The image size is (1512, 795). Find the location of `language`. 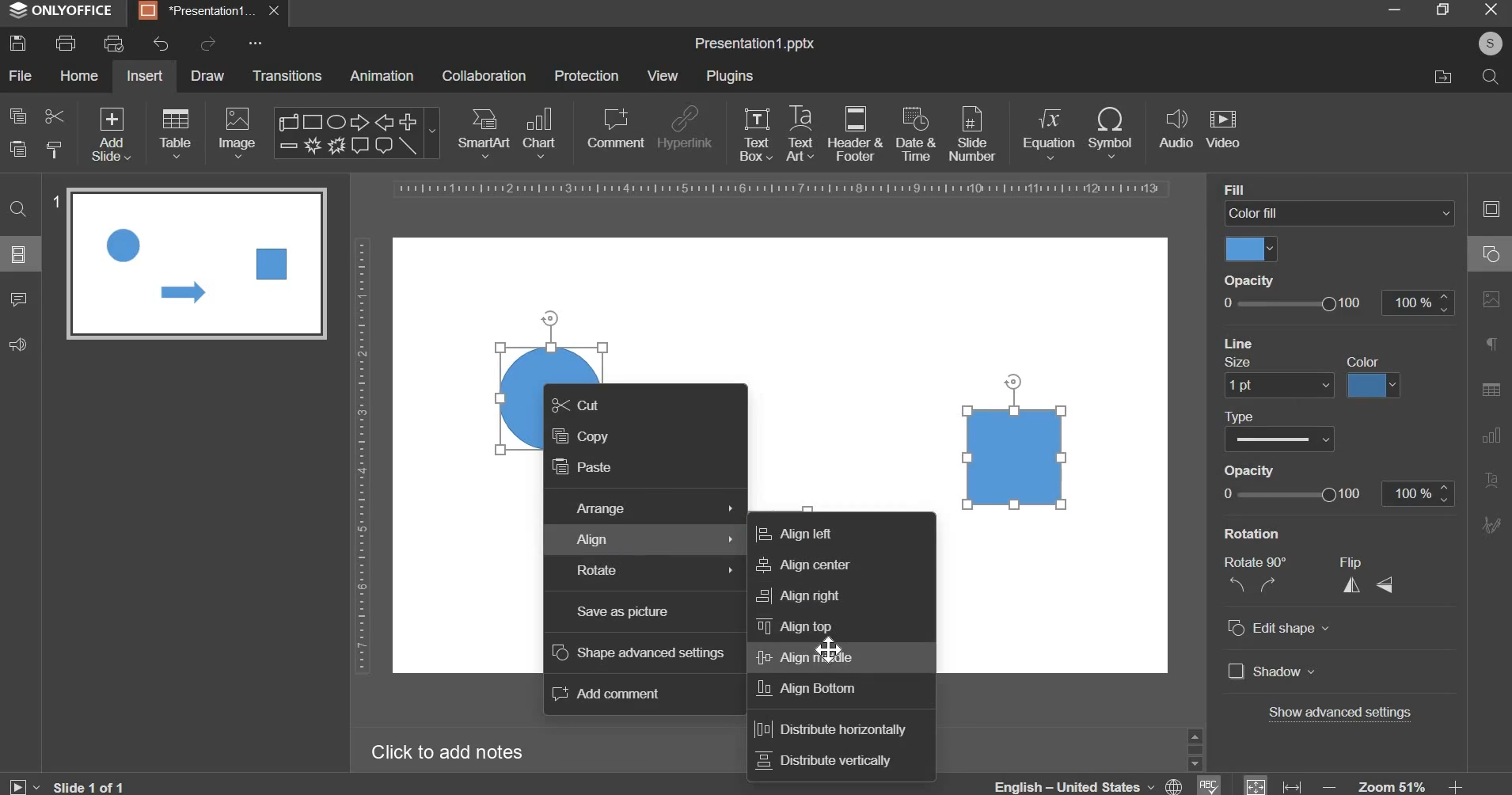

language is located at coordinates (1091, 782).